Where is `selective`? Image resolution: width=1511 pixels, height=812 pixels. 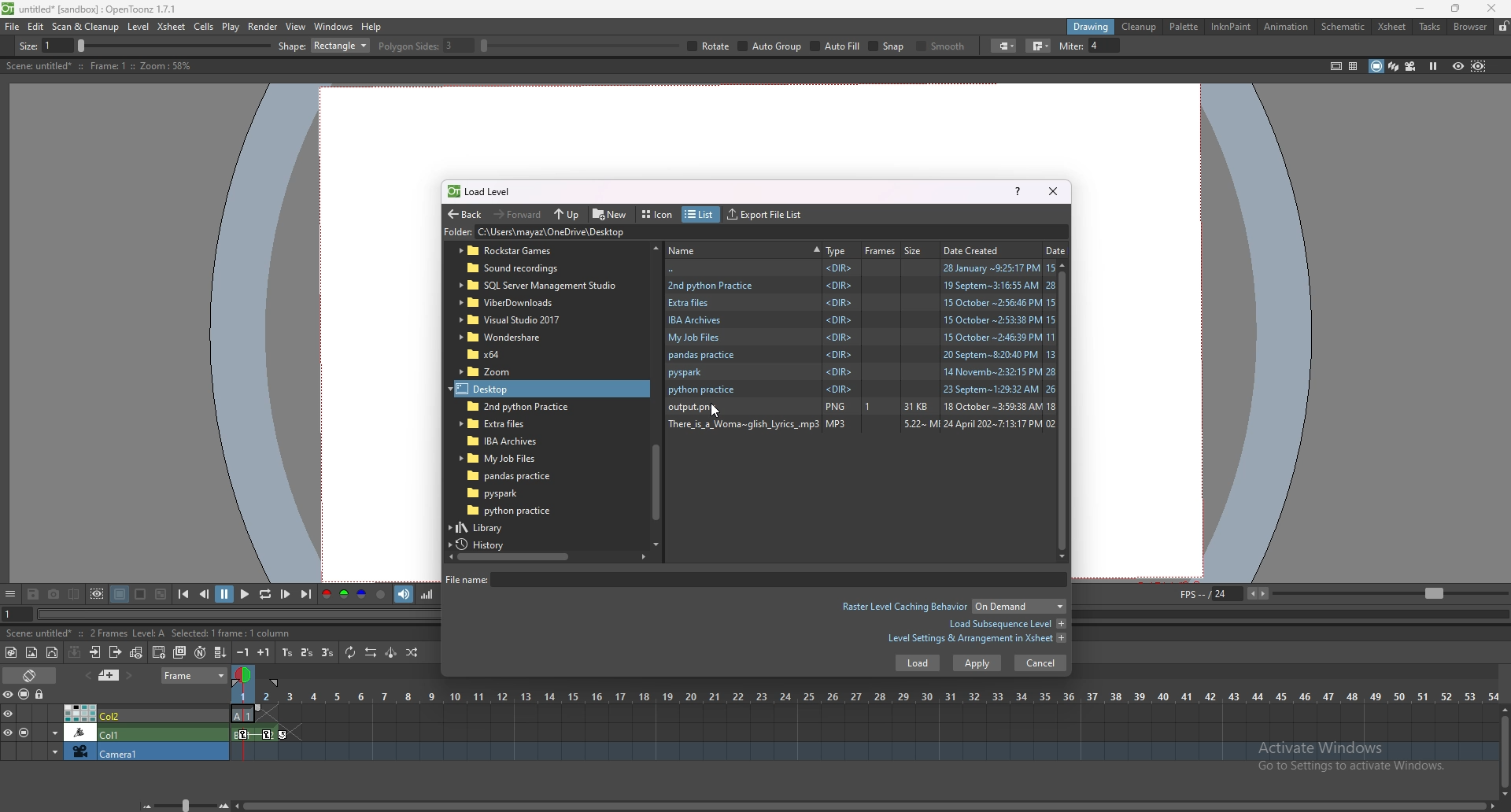
selective is located at coordinates (1081, 46).